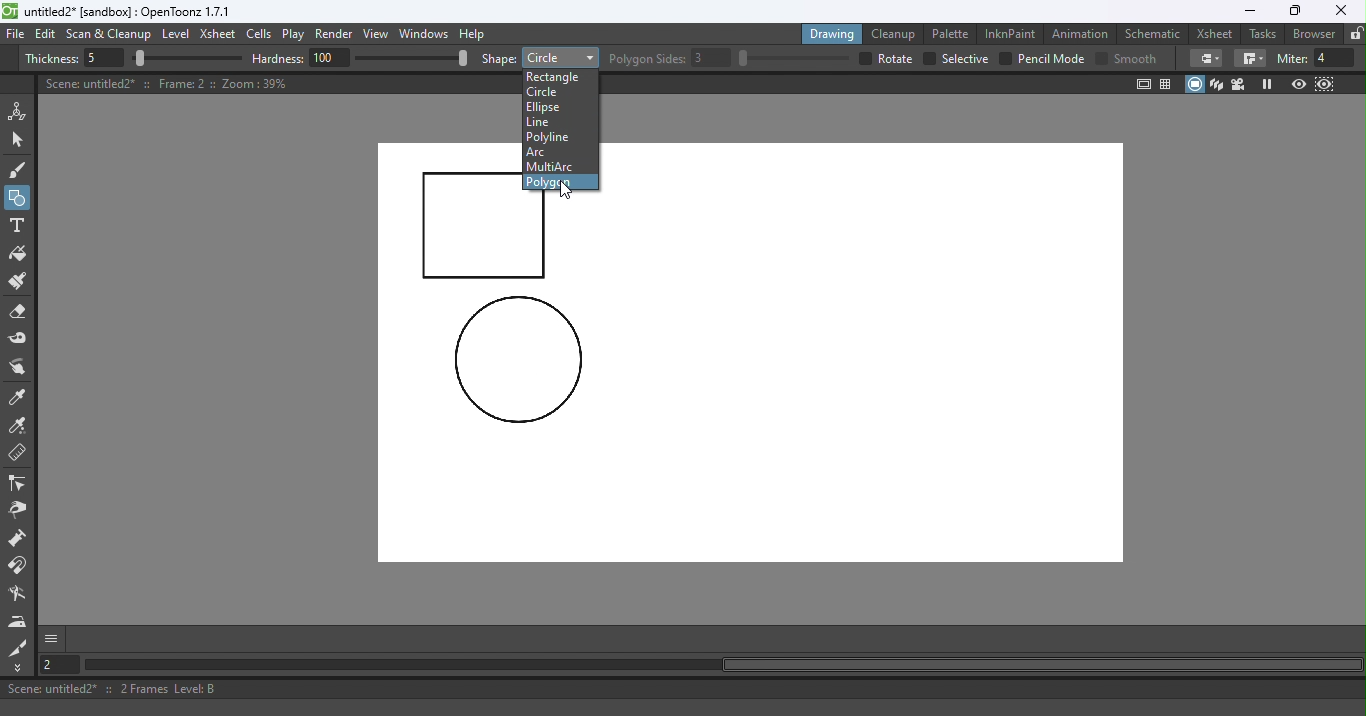 The height and width of the screenshot is (716, 1366). What do you see at coordinates (1206, 58) in the screenshot?
I see `Border corners` at bounding box center [1206, 58].